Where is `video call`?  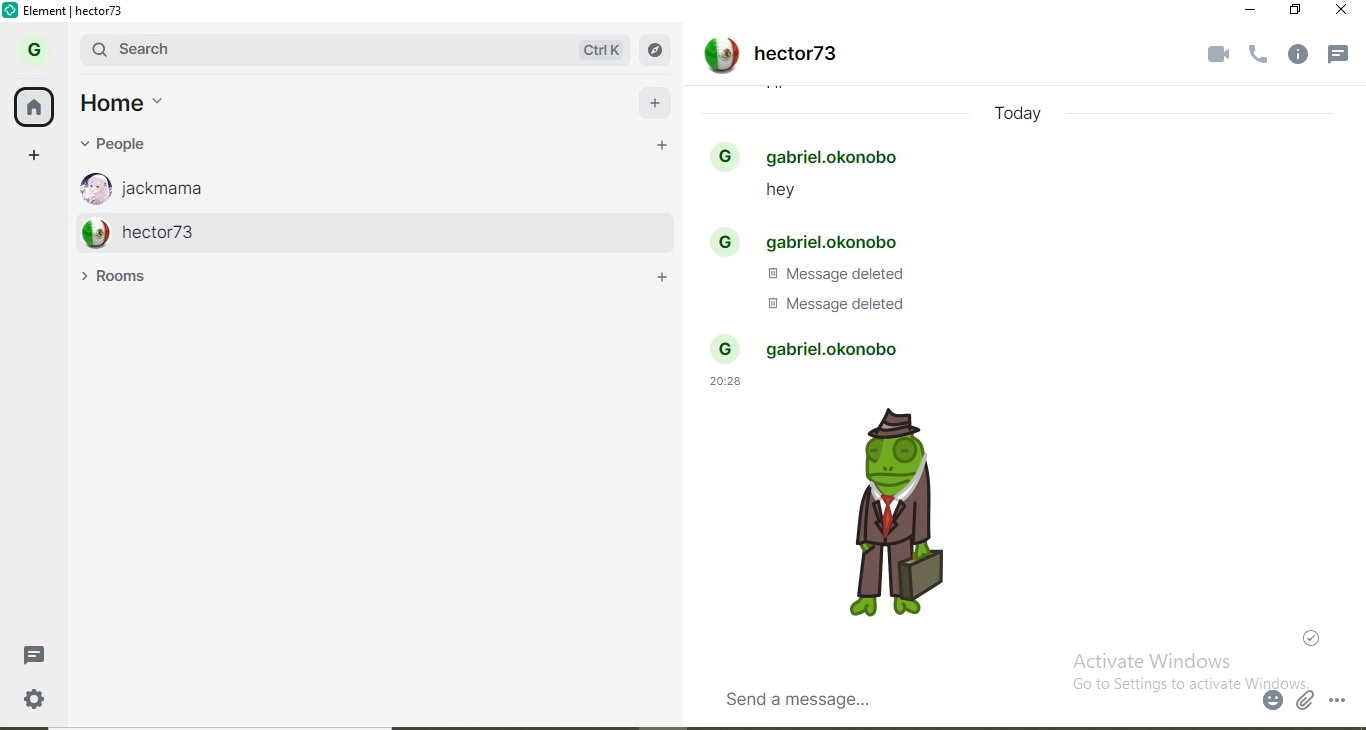
video call is located at coordinates (1213, 53).